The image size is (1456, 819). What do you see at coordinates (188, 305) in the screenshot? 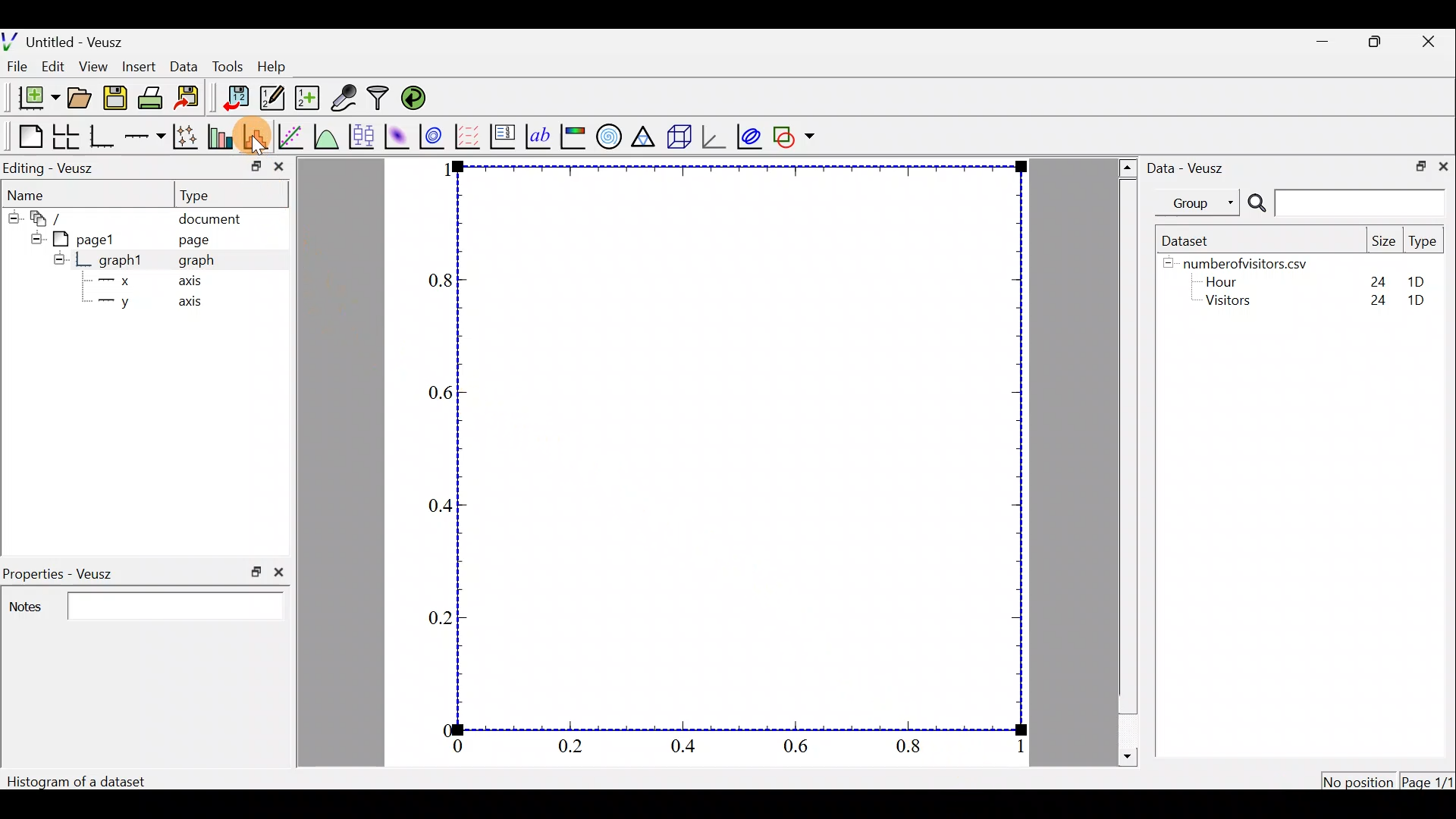
I see `axis` at bounding box center [188, 305].